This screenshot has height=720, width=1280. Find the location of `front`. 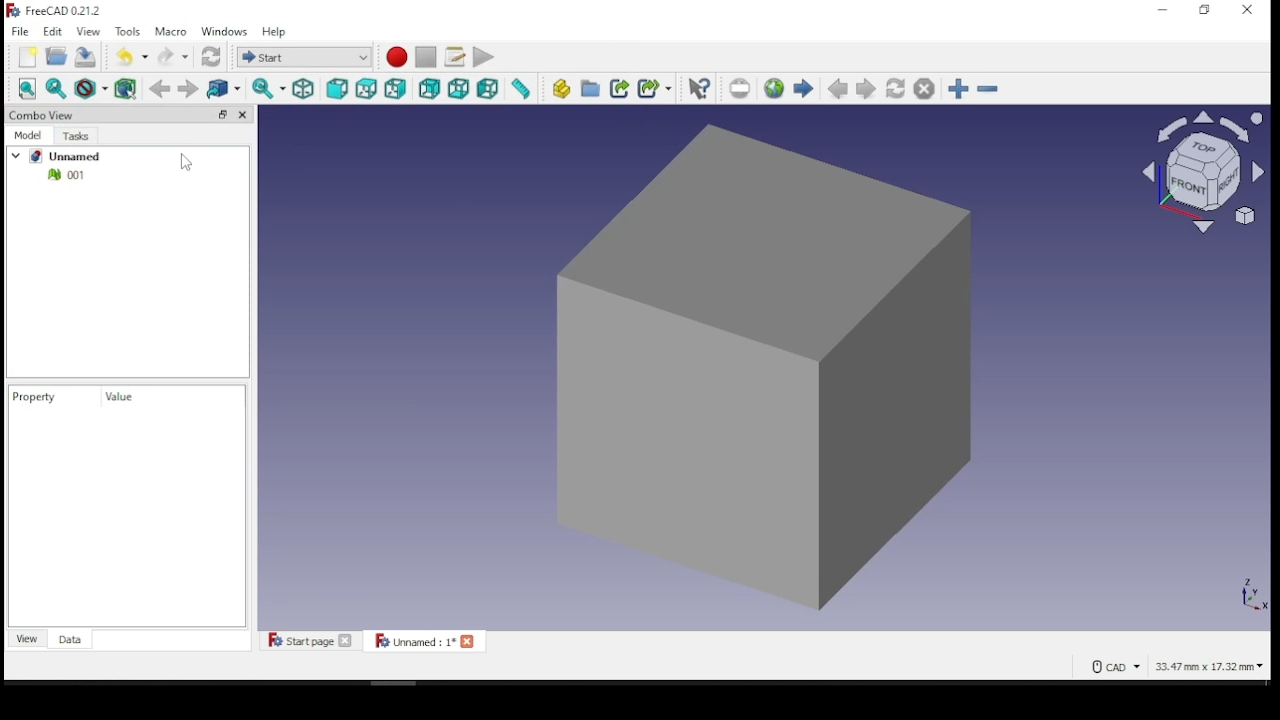

front is located at coordinates (336, 87).